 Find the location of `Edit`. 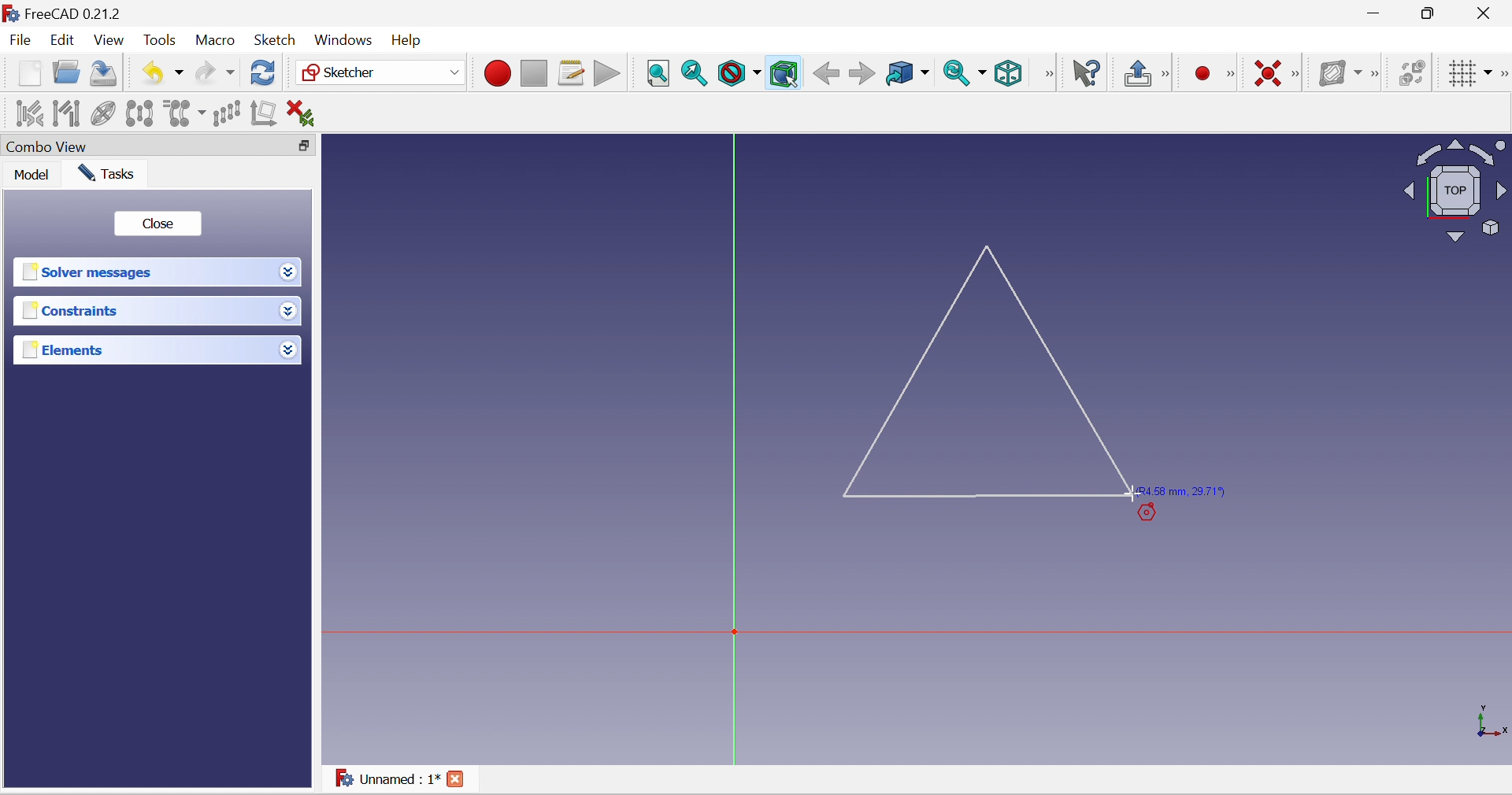

Edit is located at coordinates (61, 39).